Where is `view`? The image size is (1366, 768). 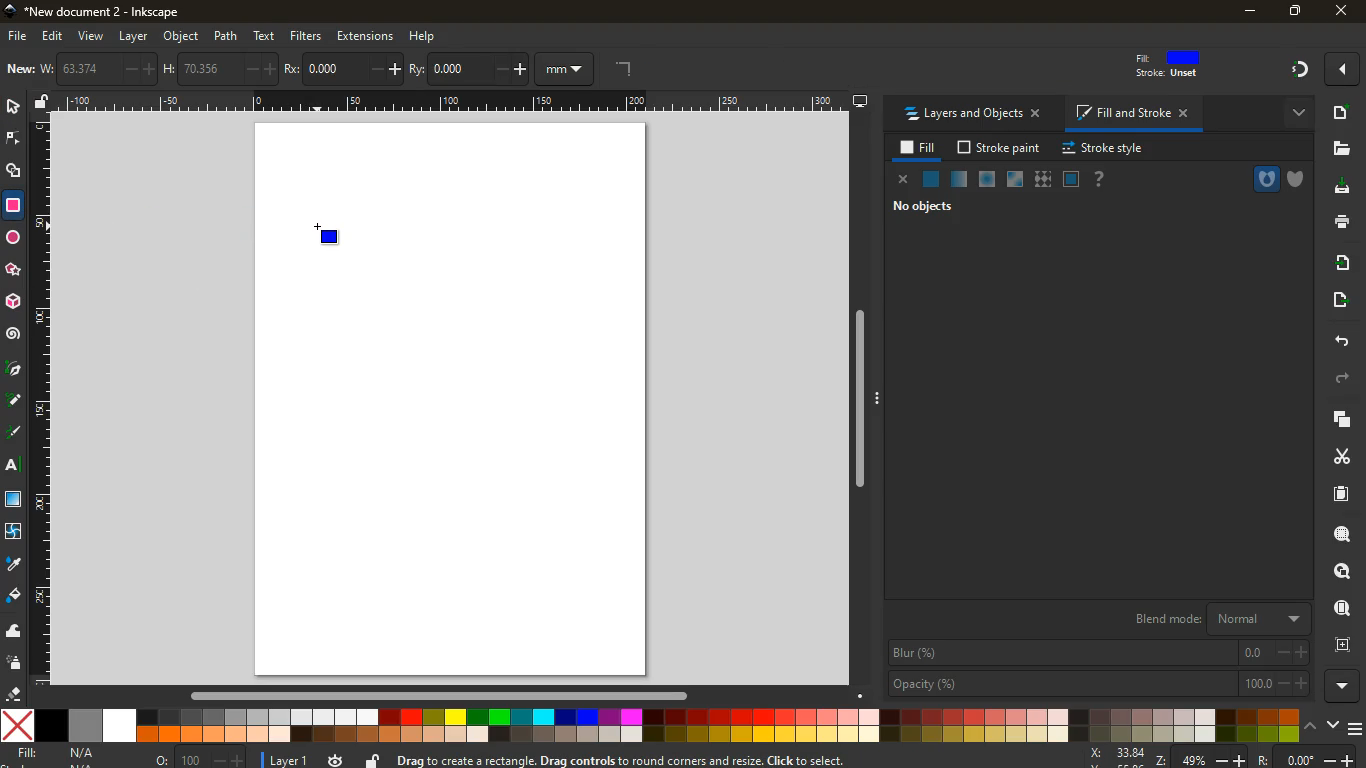
view is located at coordinates (91, 37).